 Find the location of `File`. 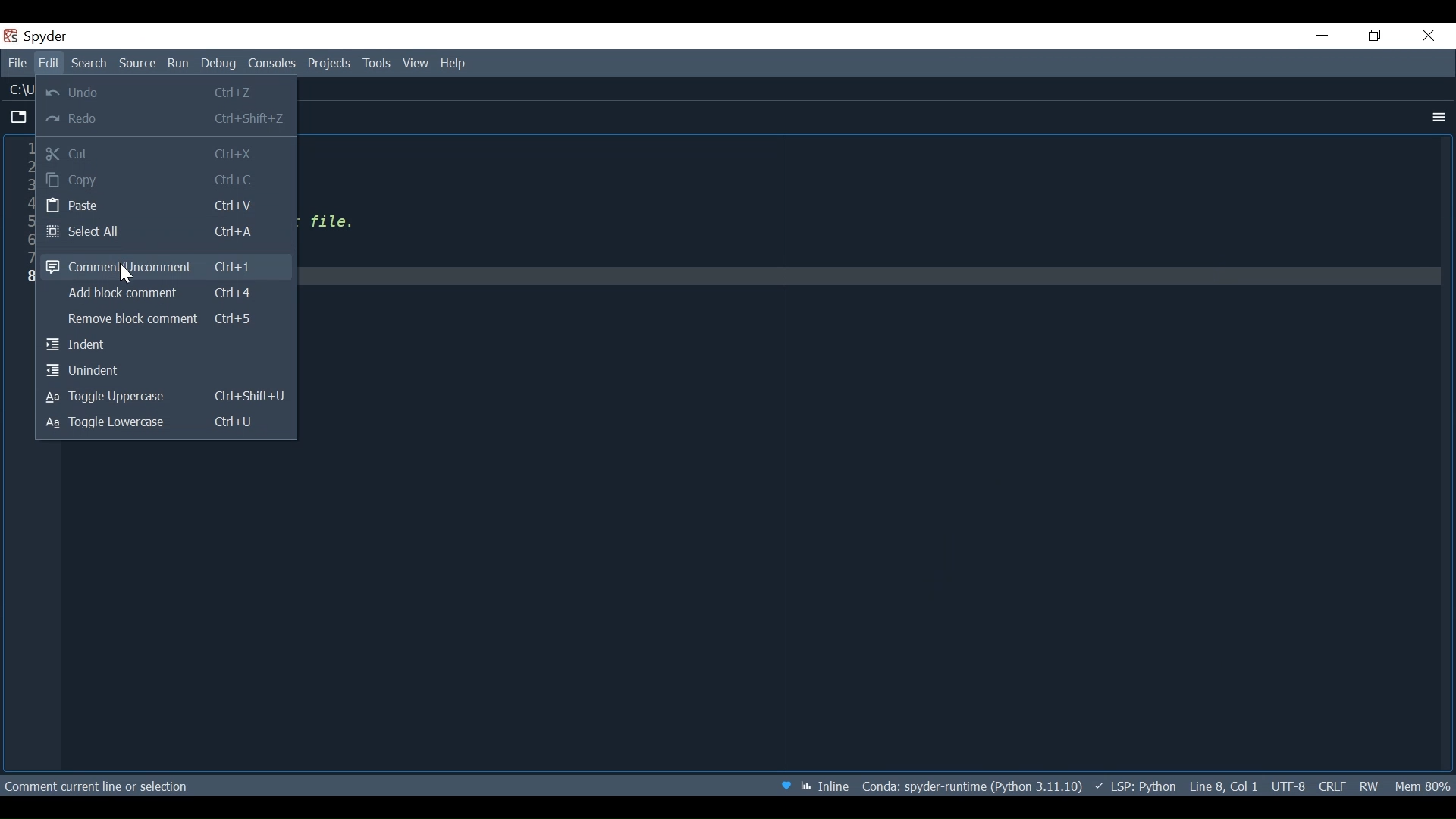

File is located at coordinates (17, 64).